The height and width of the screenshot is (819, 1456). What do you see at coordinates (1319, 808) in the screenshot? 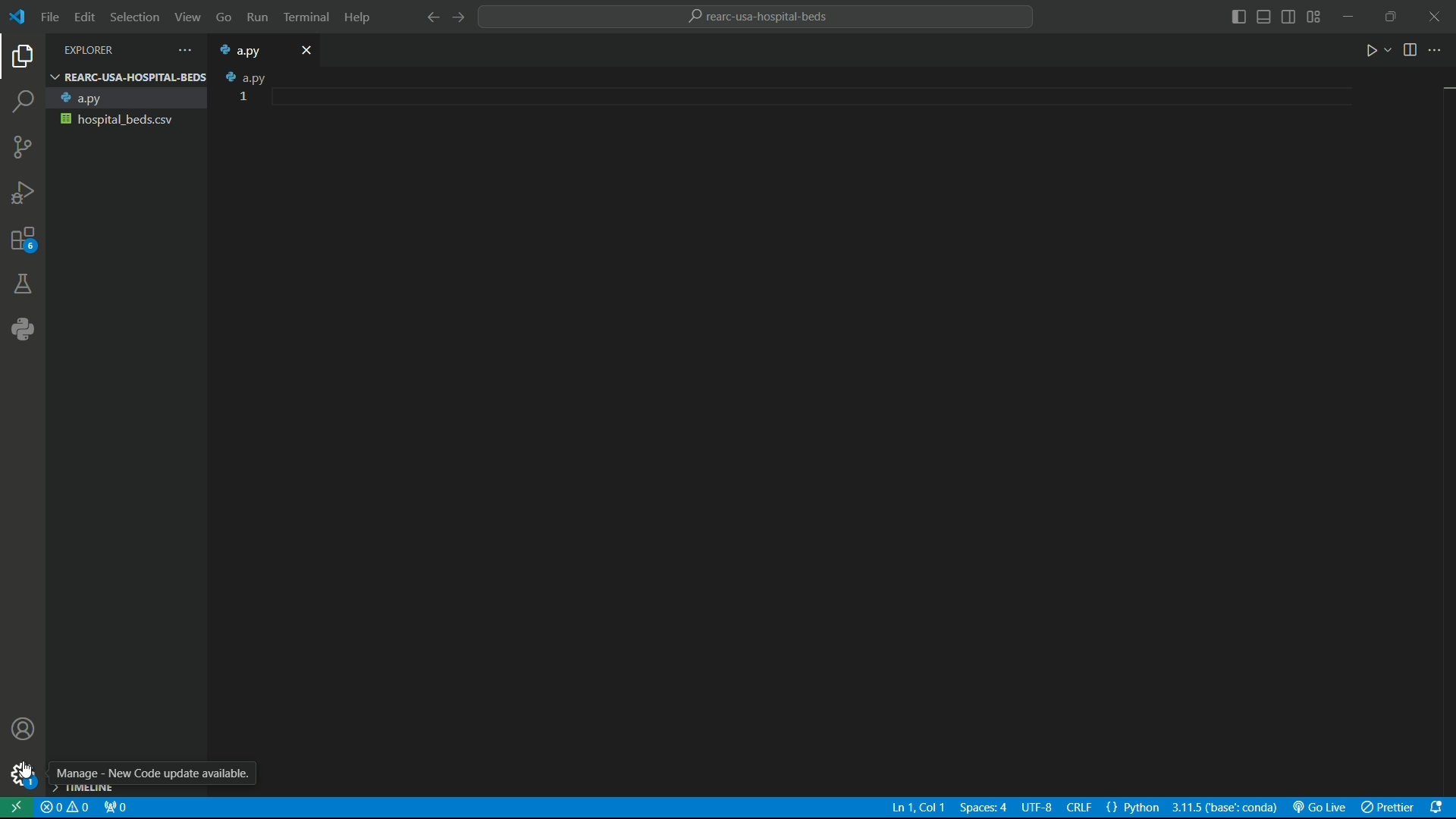
I see `Go Live` at bounding box center [1319, 808].